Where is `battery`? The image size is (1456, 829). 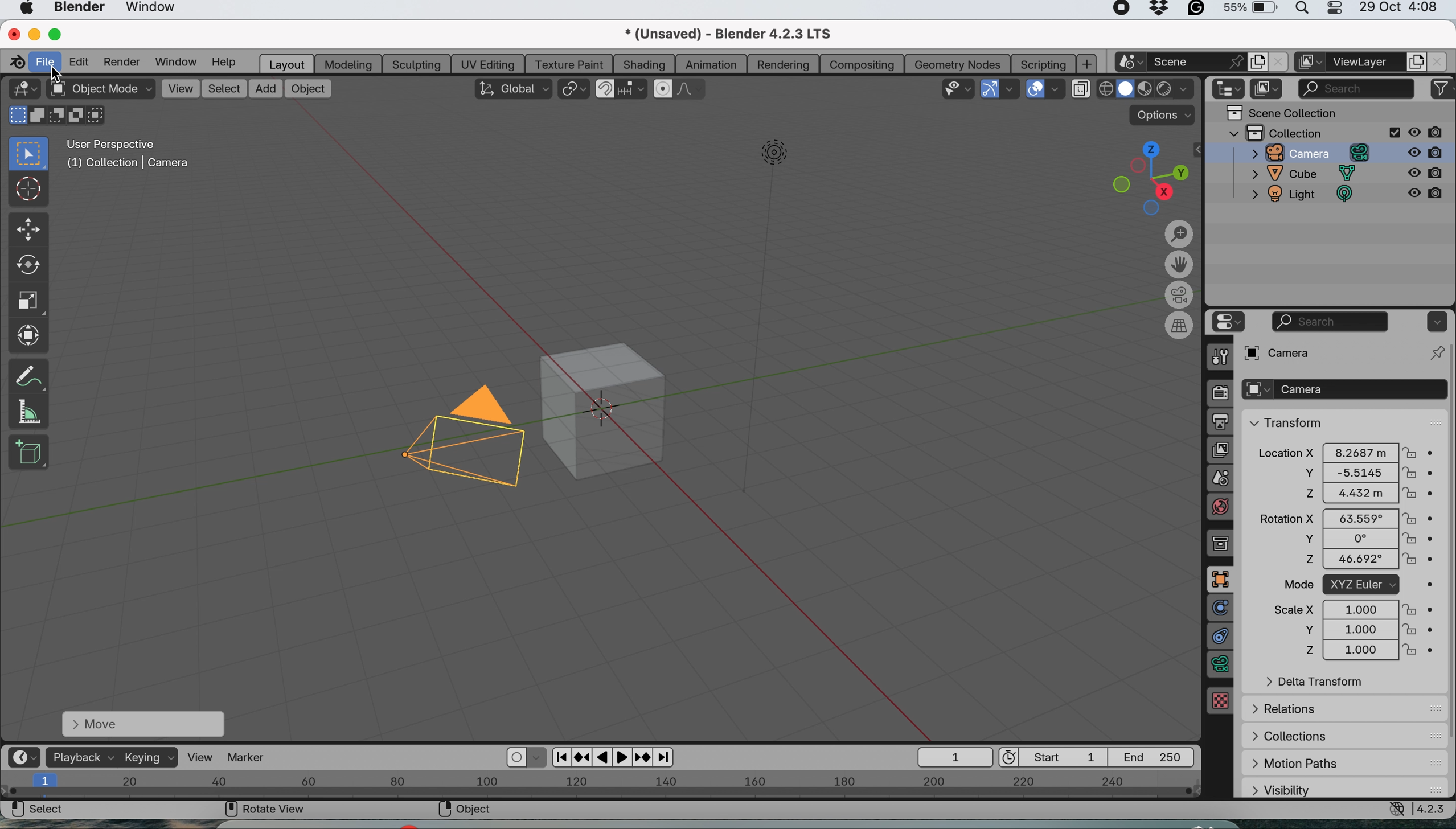
battery is located at coordinates (1249, 10).